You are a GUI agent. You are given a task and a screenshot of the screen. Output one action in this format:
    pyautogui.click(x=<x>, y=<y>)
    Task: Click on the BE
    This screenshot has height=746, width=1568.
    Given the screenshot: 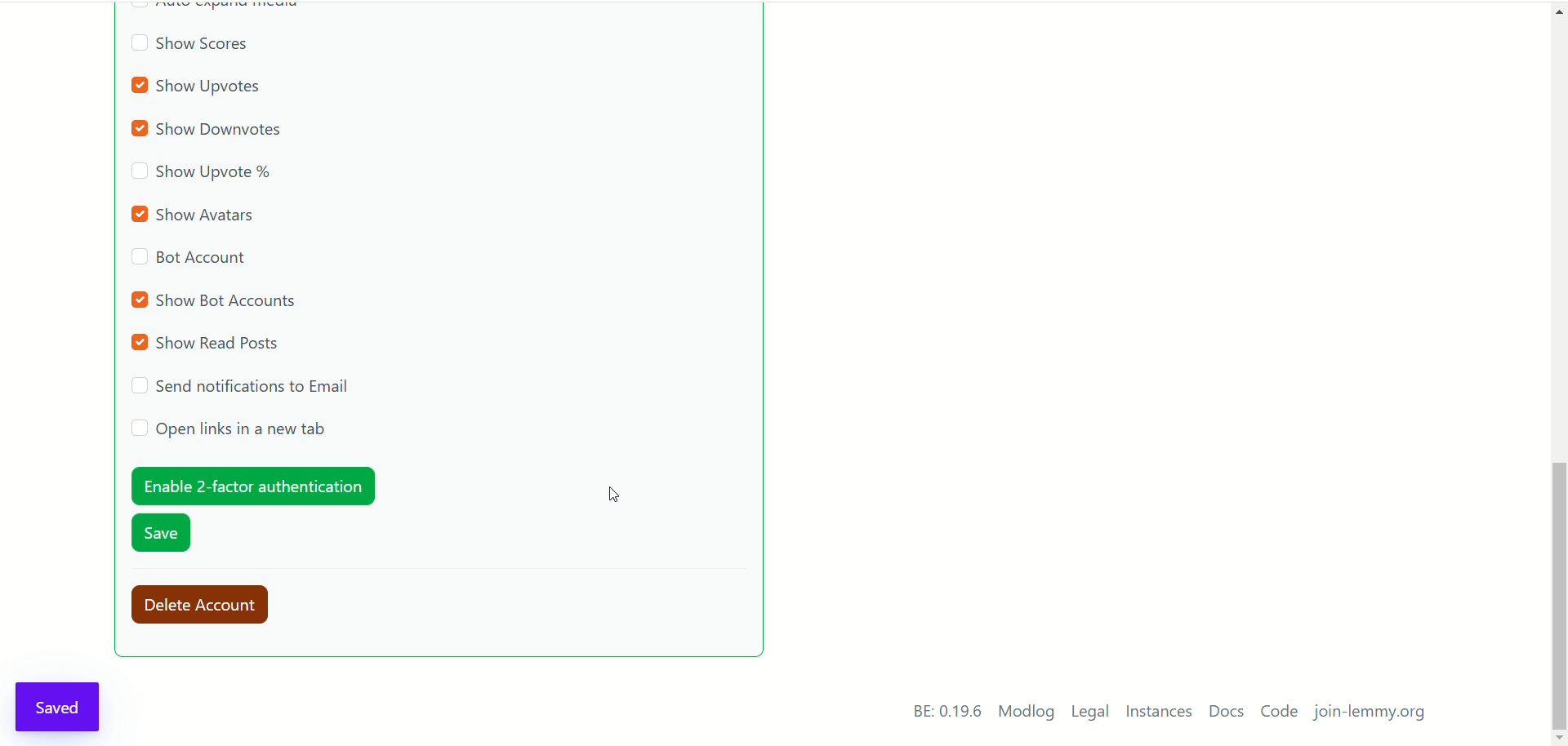 What is the action you would take?
    pyautogui.click(x=944, y=712)
    